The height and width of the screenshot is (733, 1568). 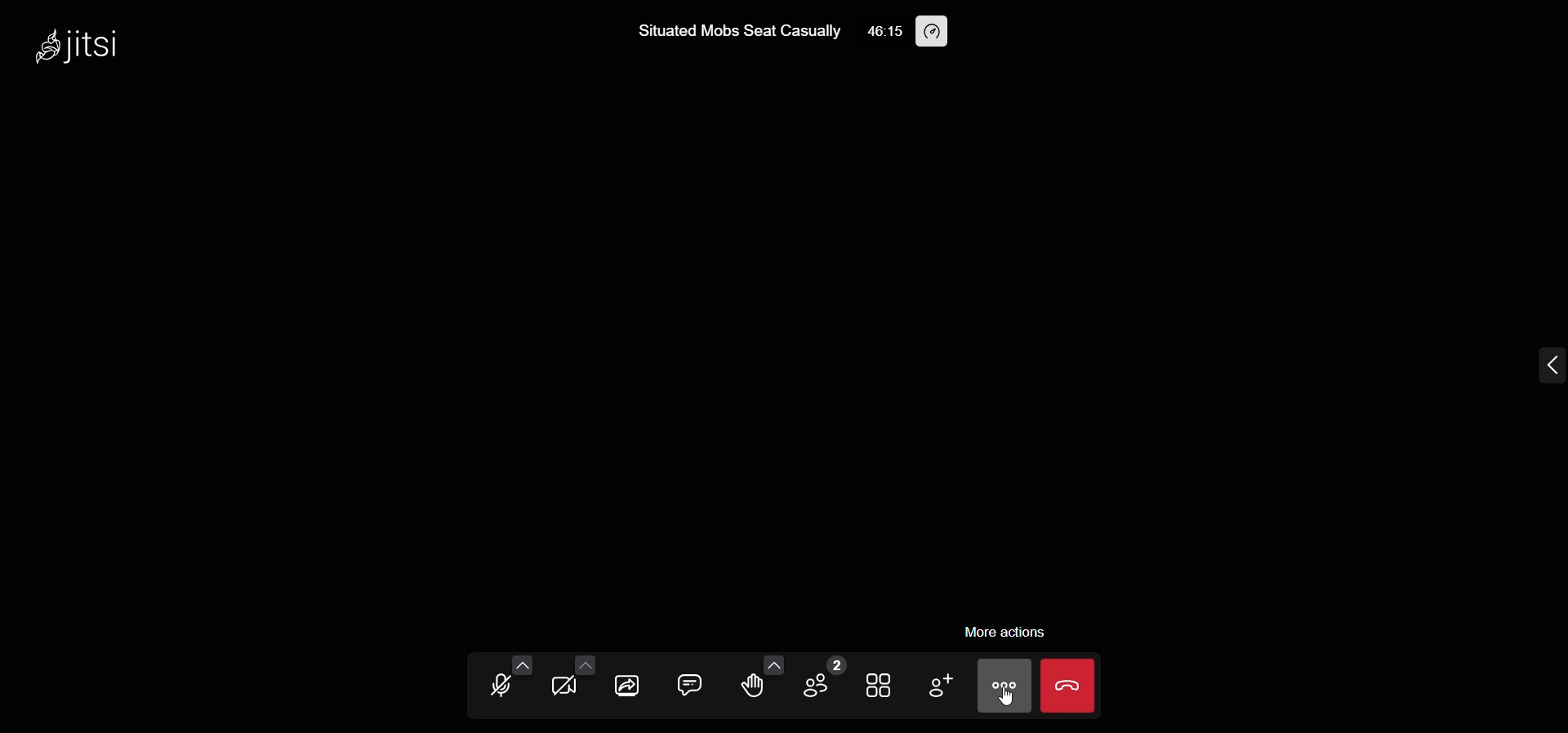 What do you see at coordinates (499, 687) in the screenshot?
I see `microphone` at bounding box center [499, 687].